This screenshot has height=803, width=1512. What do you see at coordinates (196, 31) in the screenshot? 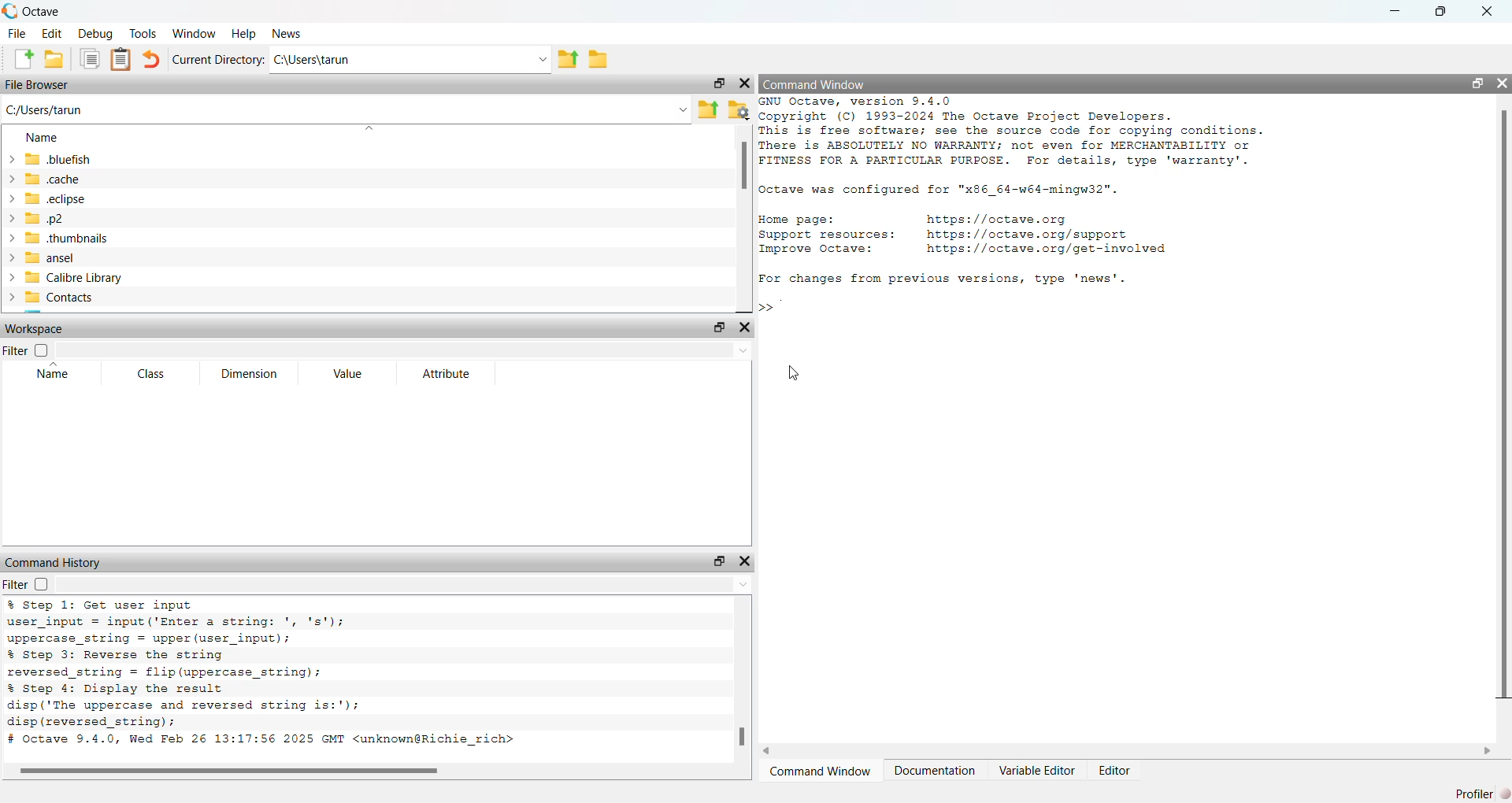
I see `window` at bounding box center [196, 31].